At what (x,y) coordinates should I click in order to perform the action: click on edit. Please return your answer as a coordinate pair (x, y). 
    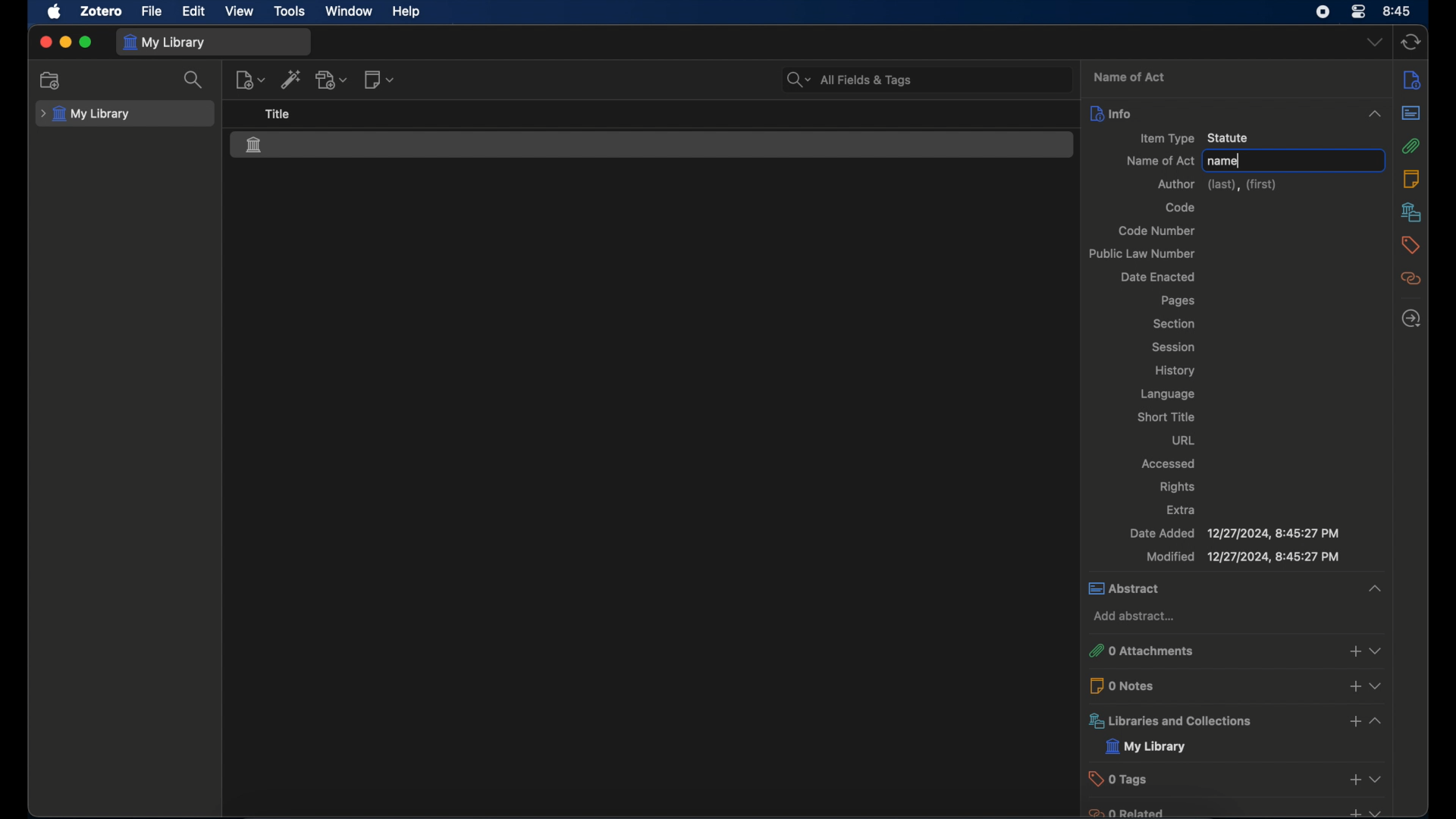
    Looking at the image, I should click on (192, 12).